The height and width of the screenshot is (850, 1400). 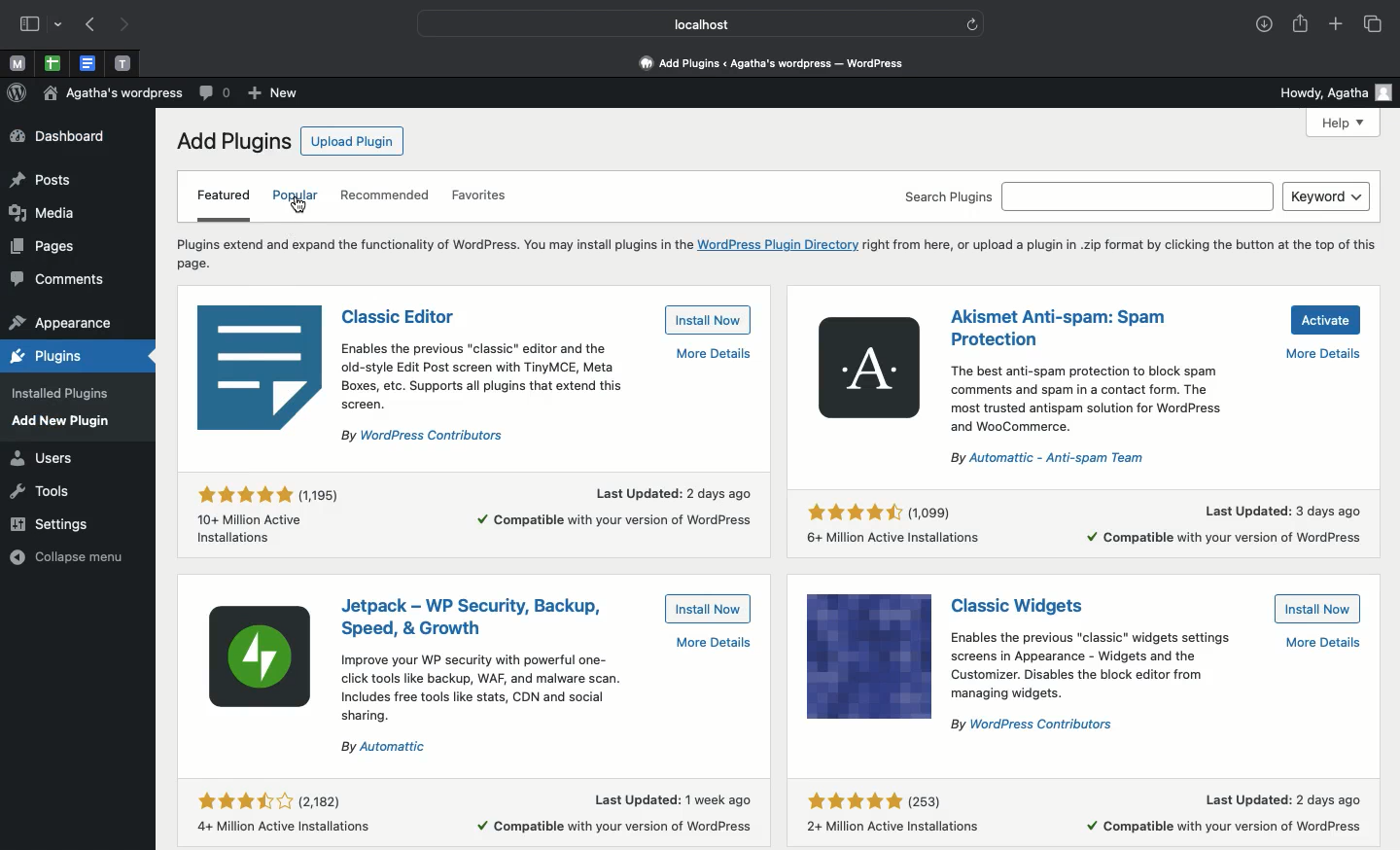 What do you see at coordinates (300, 205) in the screenshot?
I see `click` at bounding box center [300, 205].